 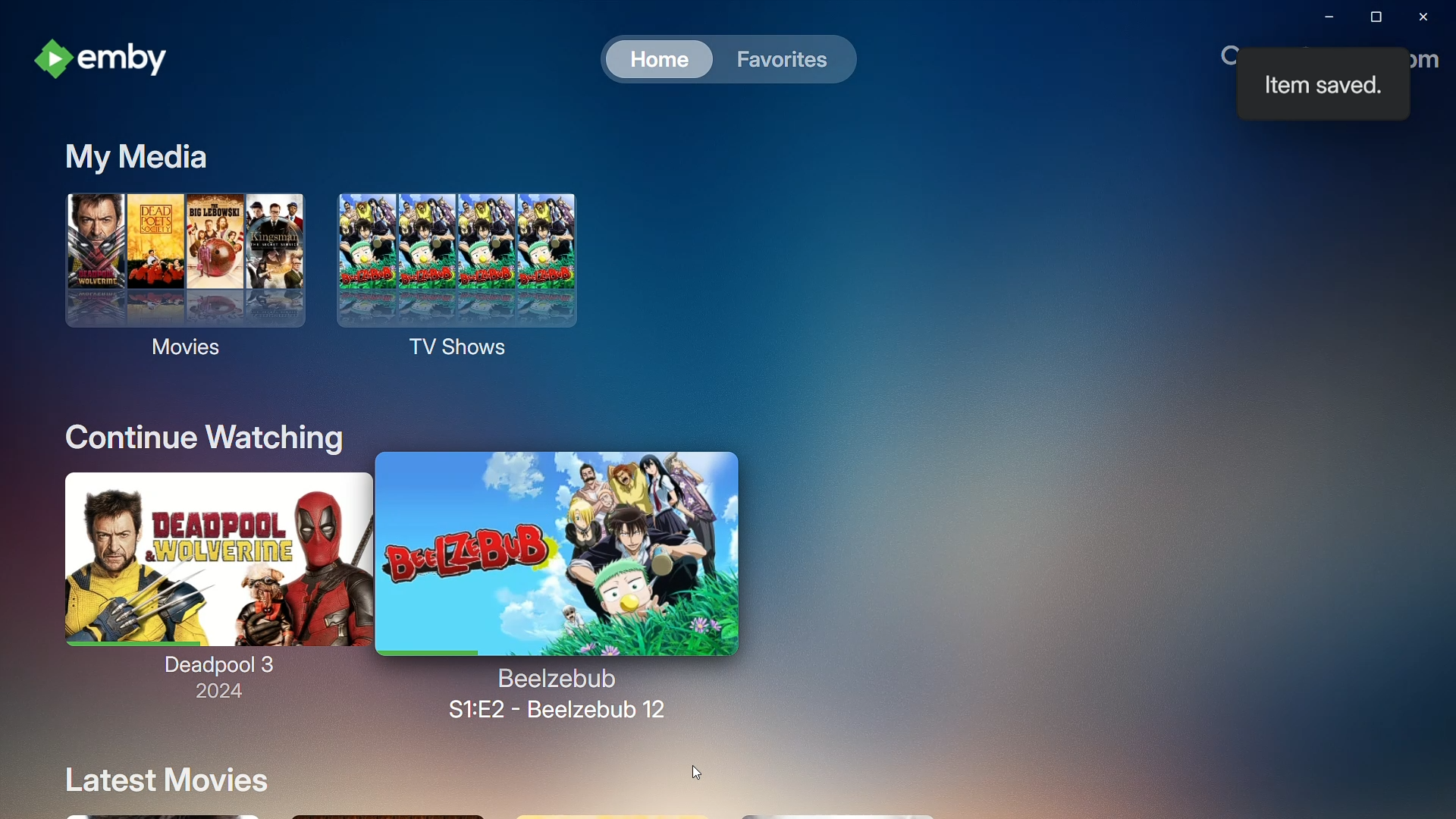 I want to click on Beelzebub, so click(x=560, y=551).